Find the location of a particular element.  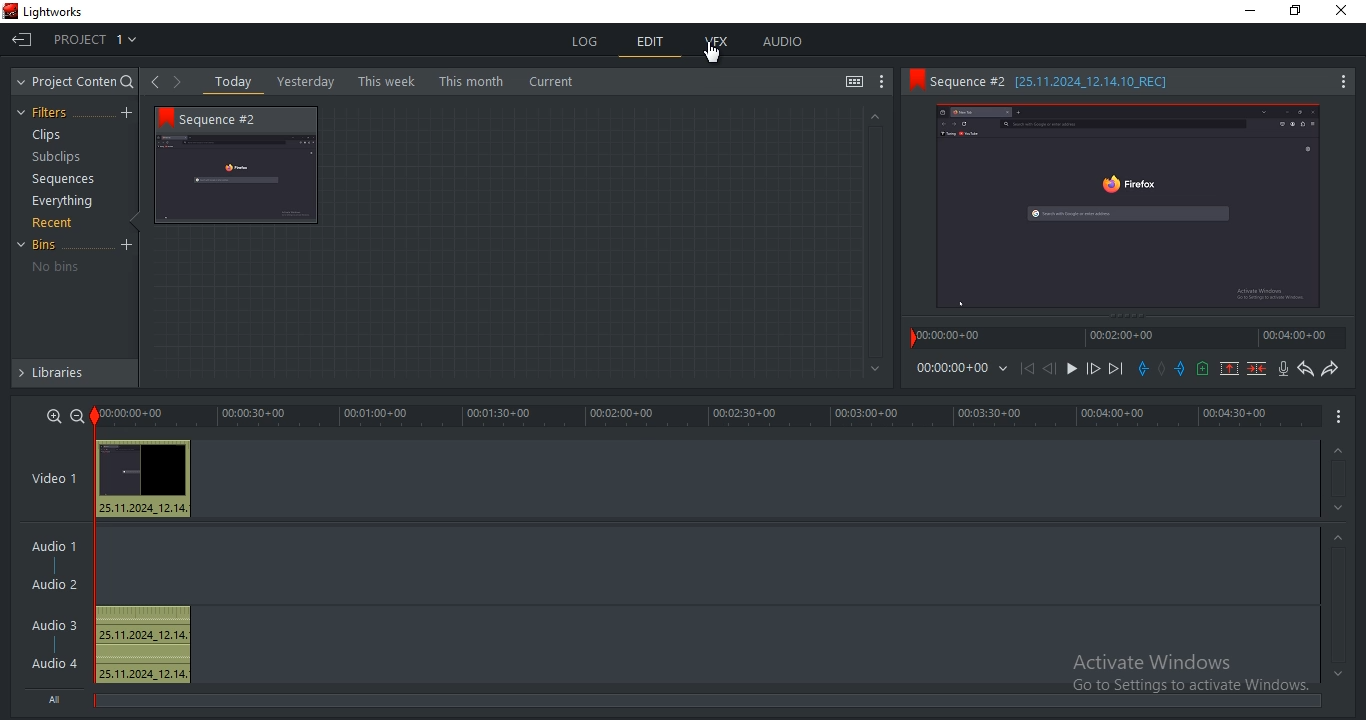

record audio is located at coordinates (1282, 369).